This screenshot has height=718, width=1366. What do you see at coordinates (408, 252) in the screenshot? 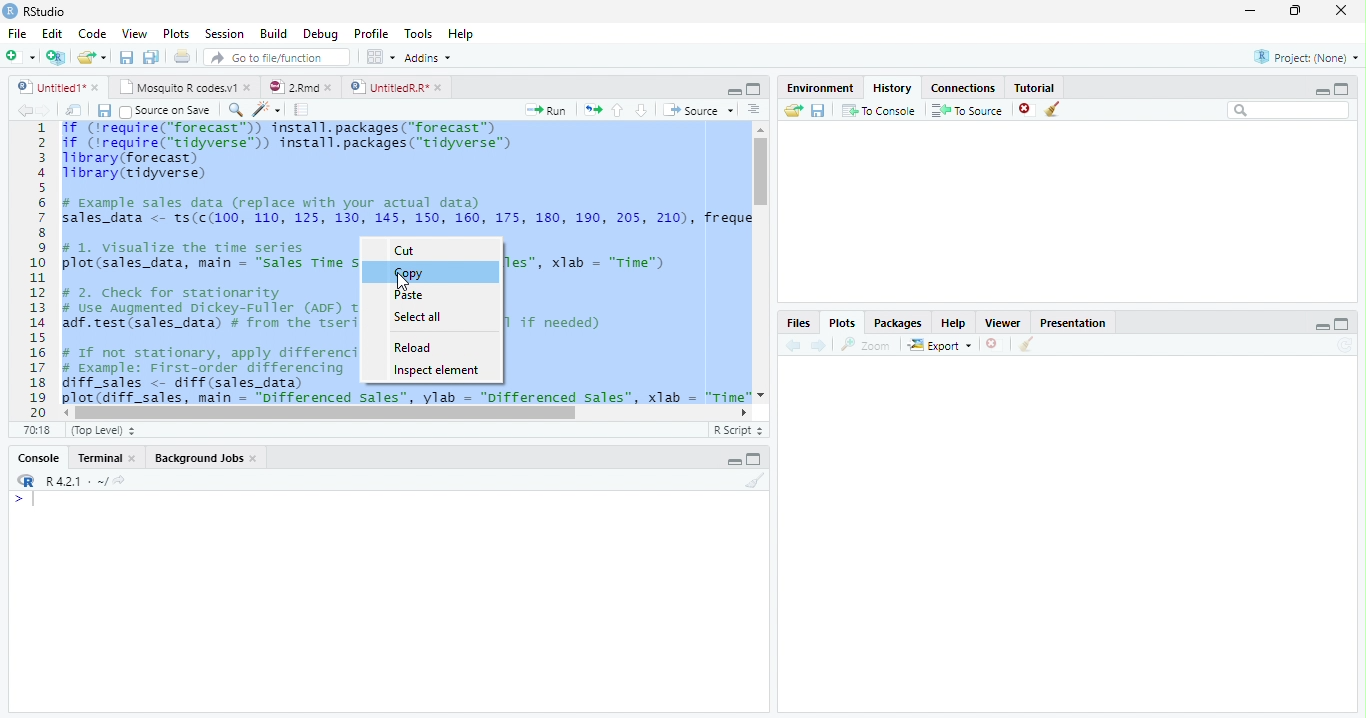
I see `Cut` at bounding box center [408, 252].